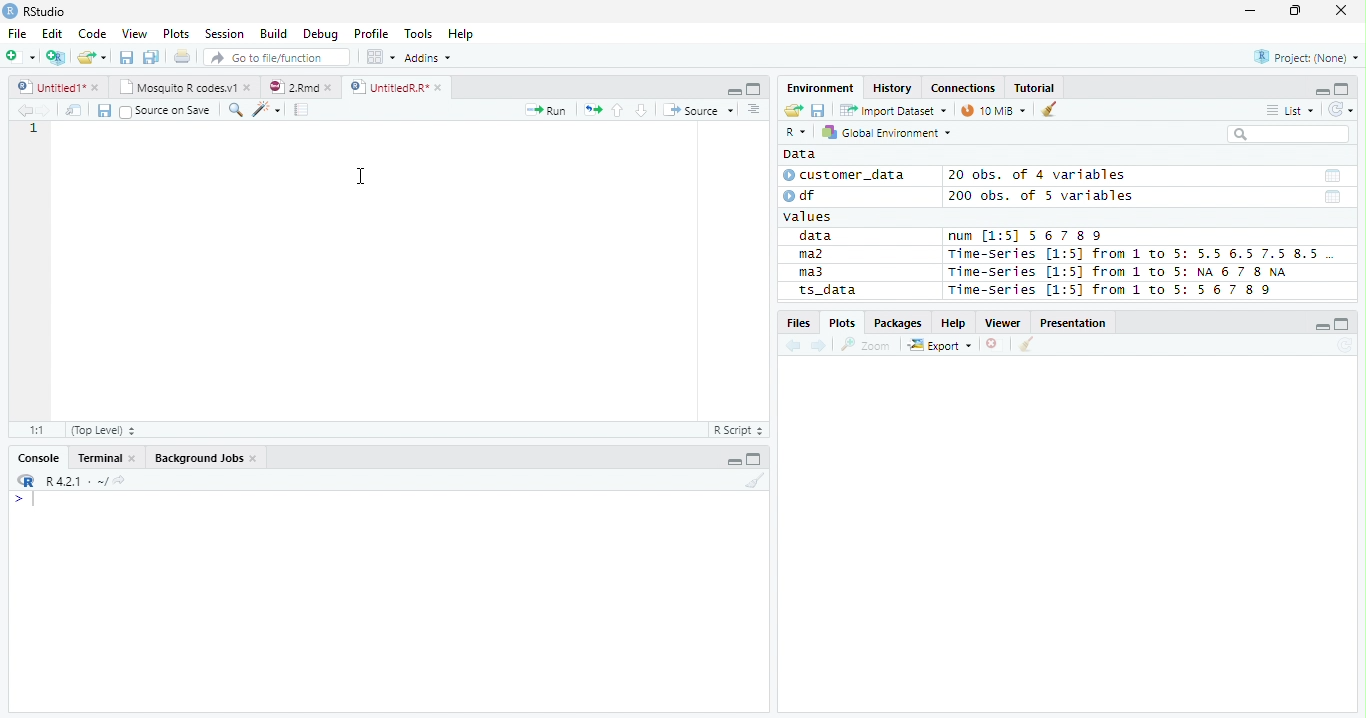 This screenshot has height=718, width=1366. I want to click on 2.Rmd, so click(302, 88).